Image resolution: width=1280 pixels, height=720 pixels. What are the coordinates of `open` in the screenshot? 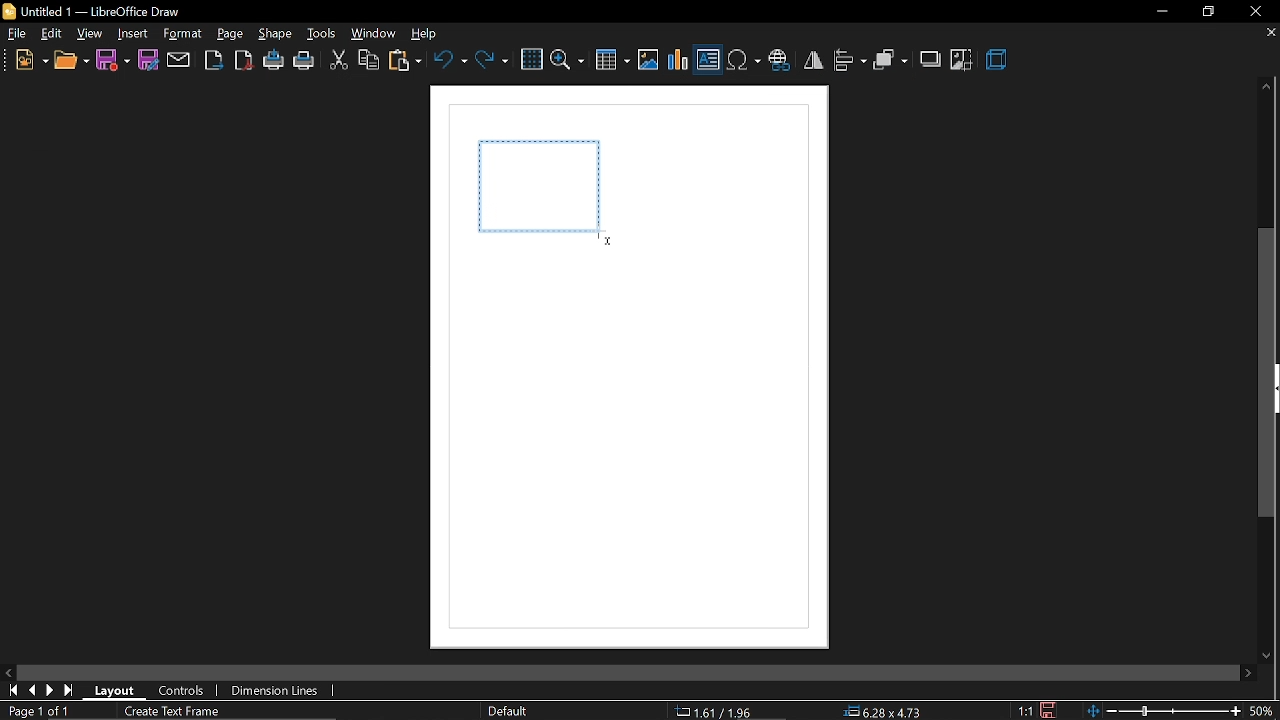 It's located at (71, 63).